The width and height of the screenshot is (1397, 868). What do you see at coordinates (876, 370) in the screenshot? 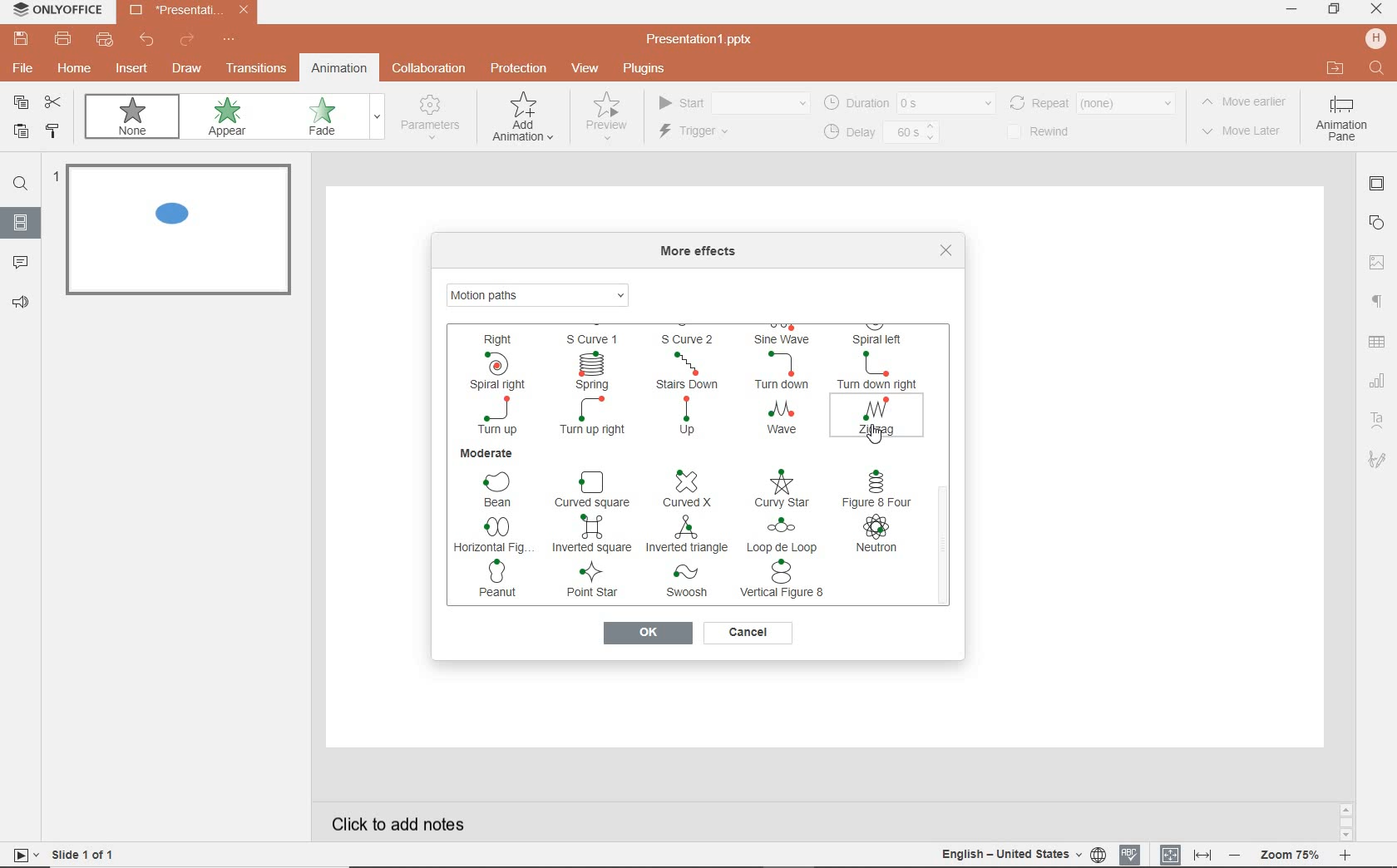
I see `turn down right` at bounding box center [876, 370].